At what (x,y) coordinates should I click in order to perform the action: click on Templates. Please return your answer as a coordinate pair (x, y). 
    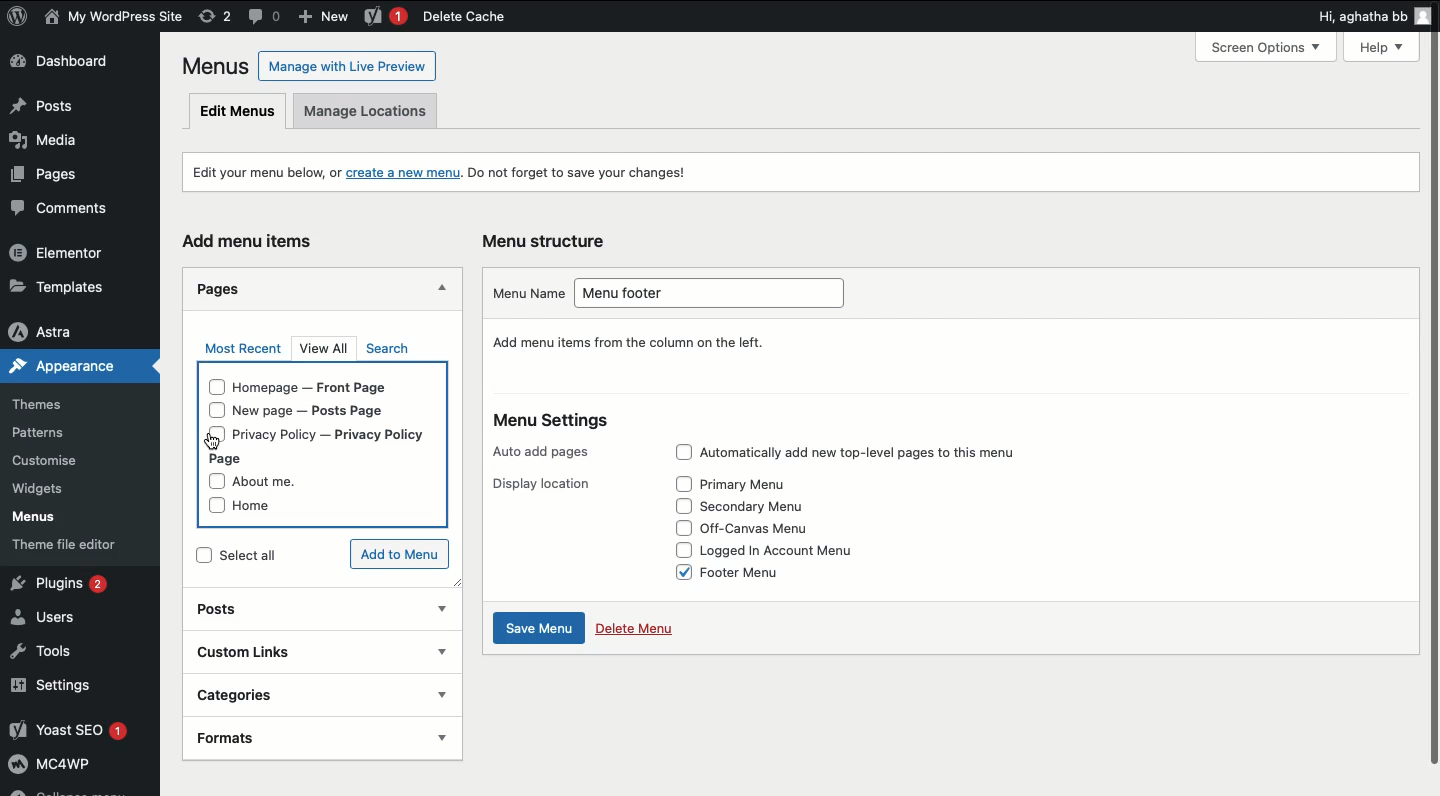
    Looking at the image, I should click on (70, 284).